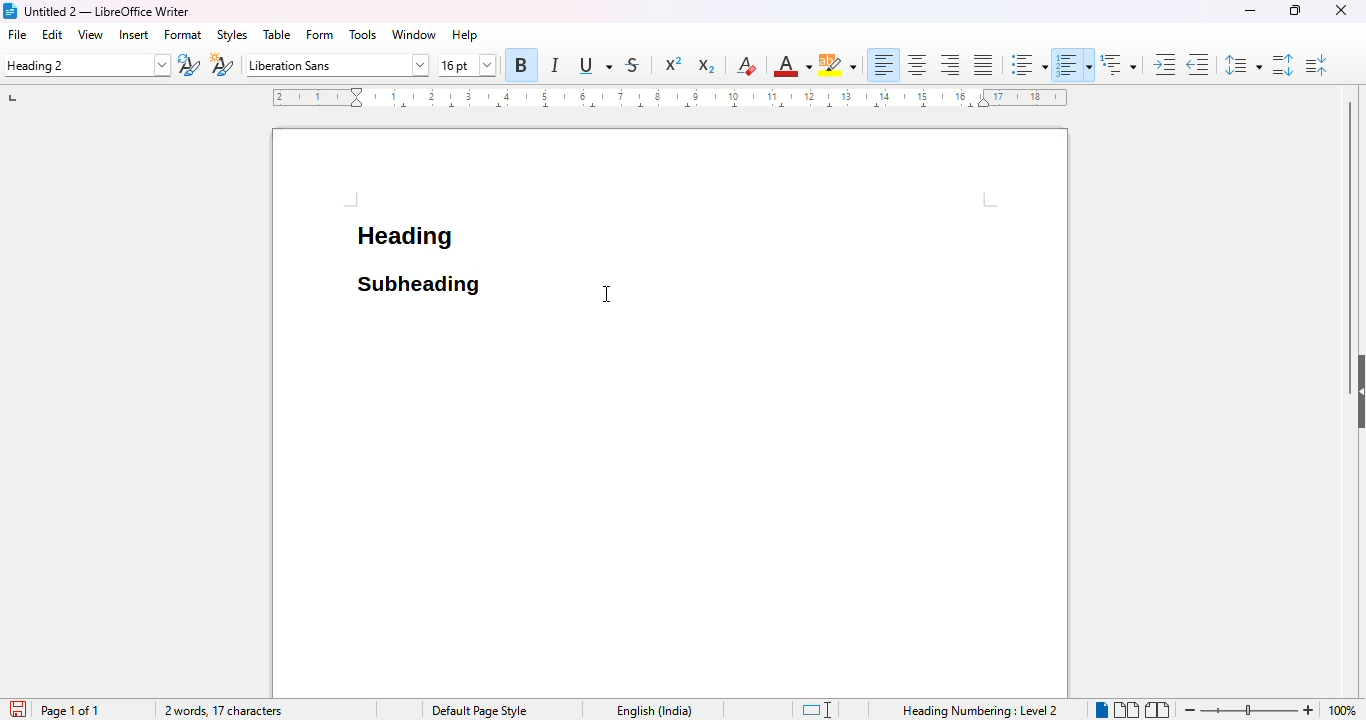 This screenshot has width=1366, height=720. I want to click on window, so click(415, 34).